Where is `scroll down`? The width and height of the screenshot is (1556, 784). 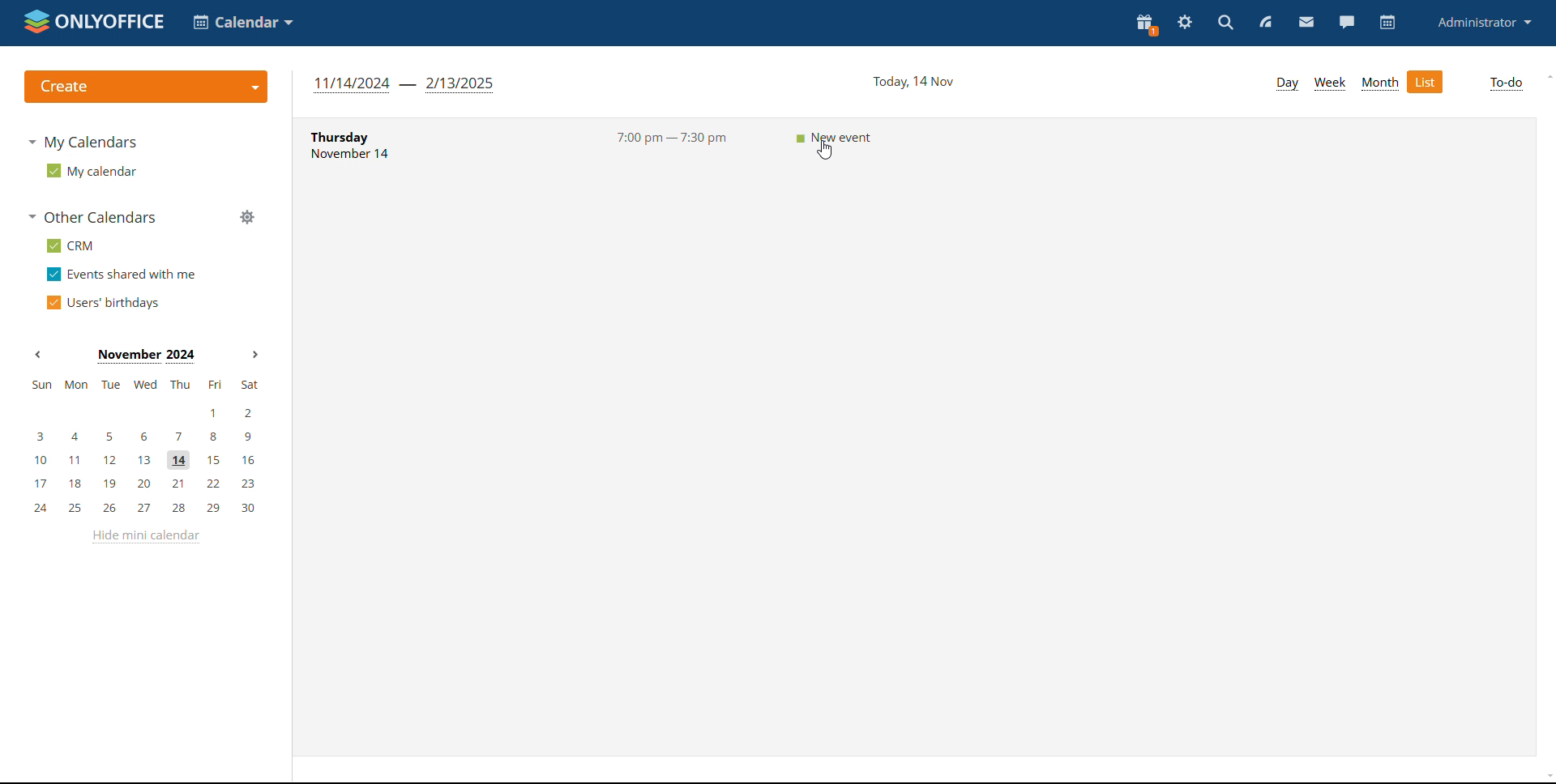 scroll down is located at coordinates (1546, 777).